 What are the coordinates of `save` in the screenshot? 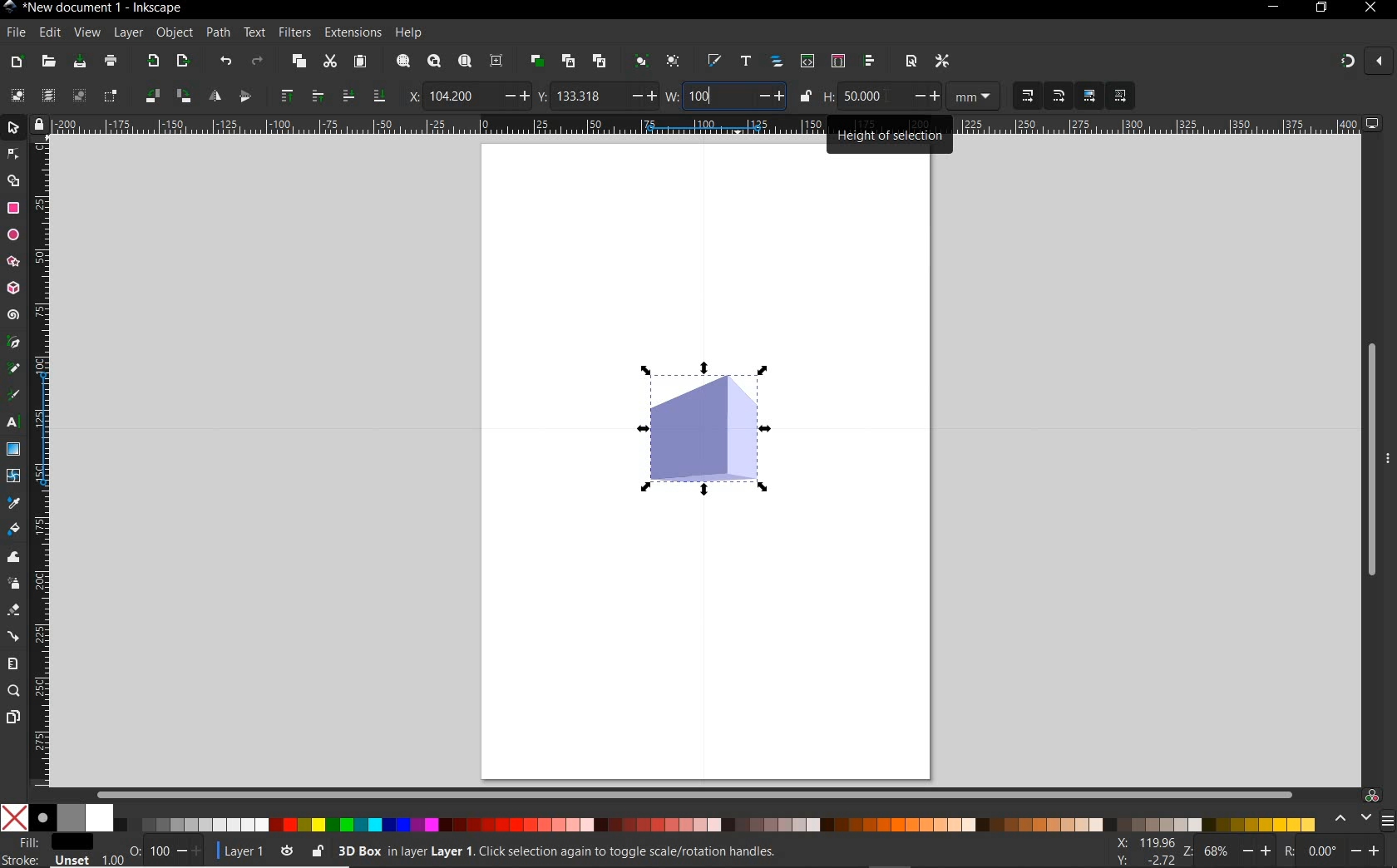 It's located at (79, 61).